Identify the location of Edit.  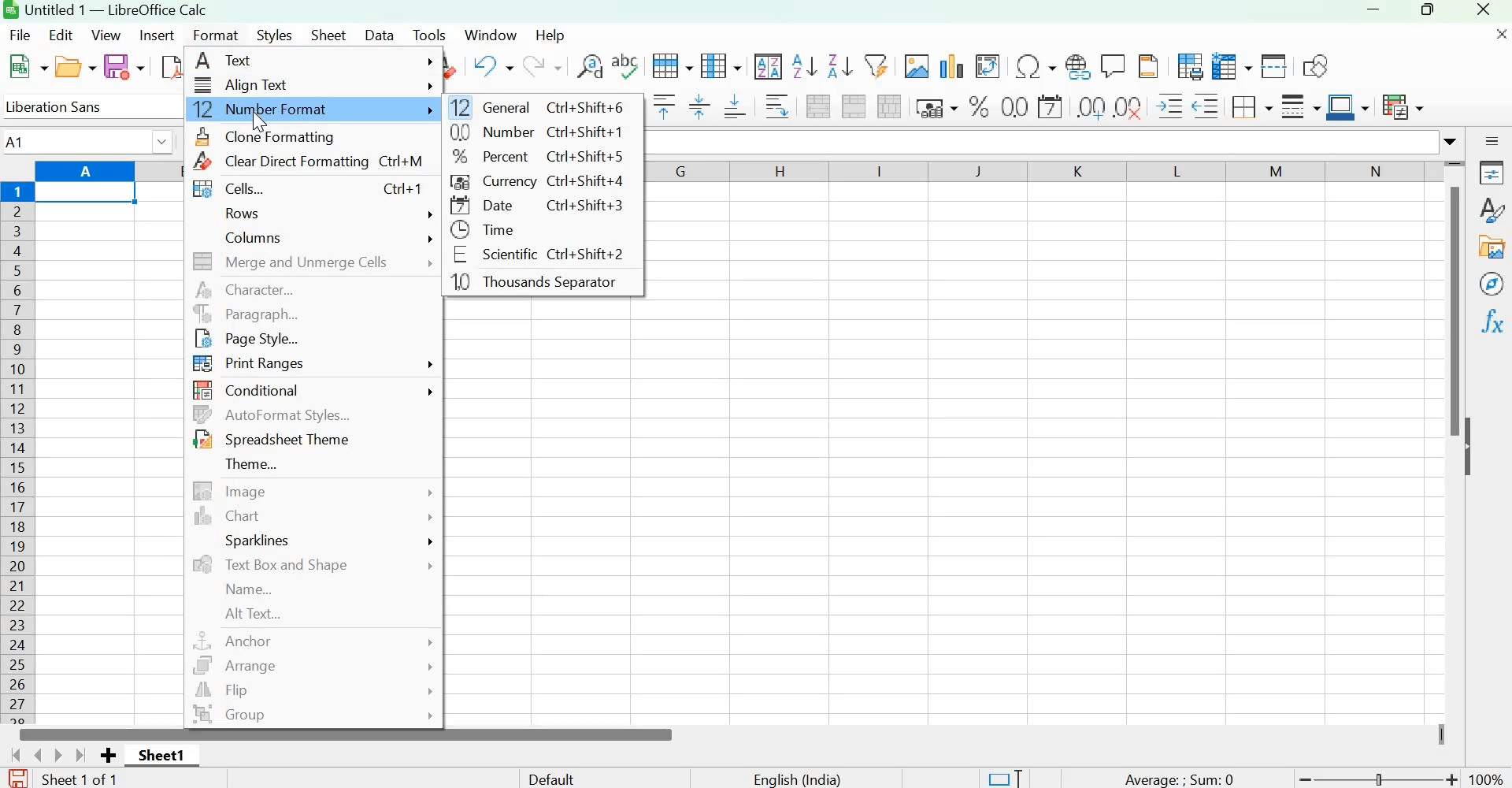
(62, 34).